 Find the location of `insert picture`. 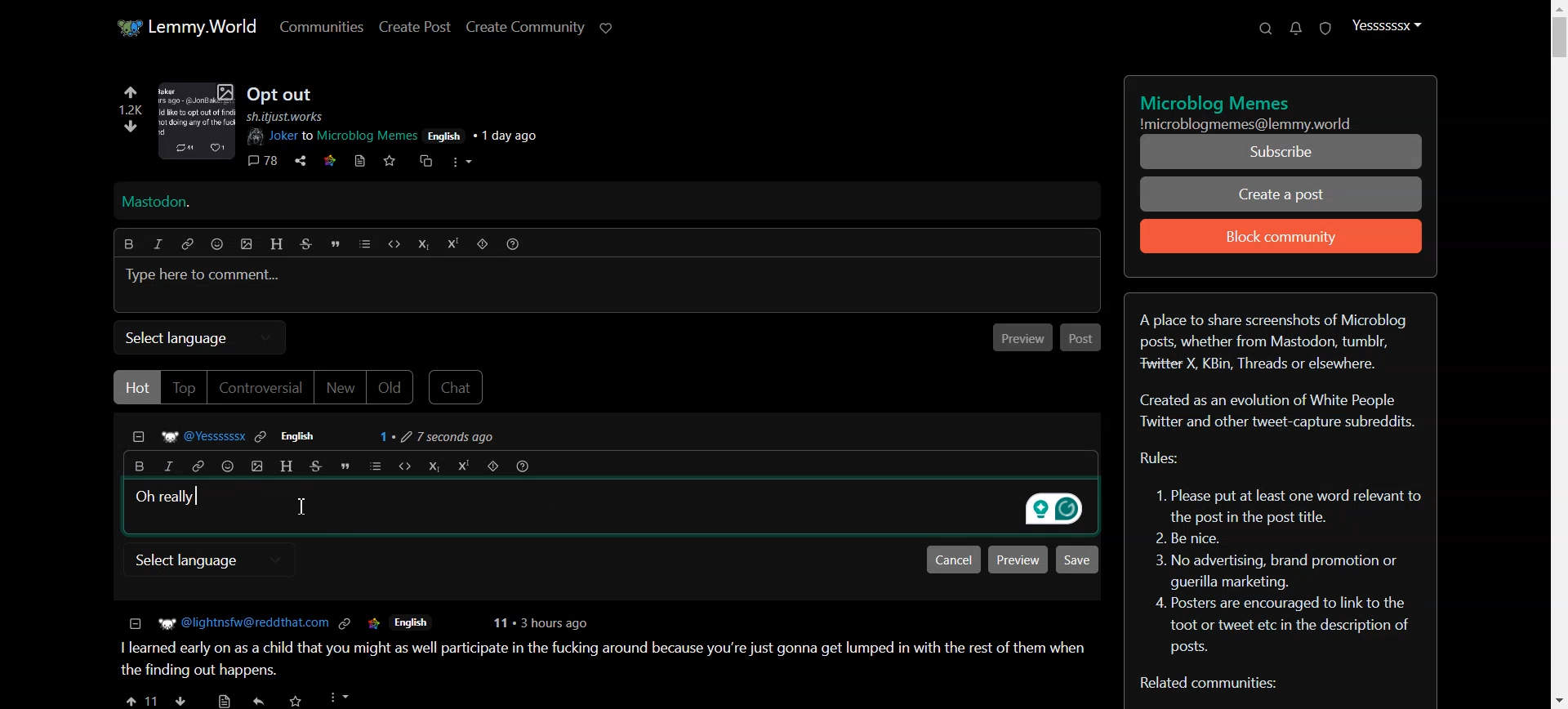

insert picture is located at coordinates (254, 466).